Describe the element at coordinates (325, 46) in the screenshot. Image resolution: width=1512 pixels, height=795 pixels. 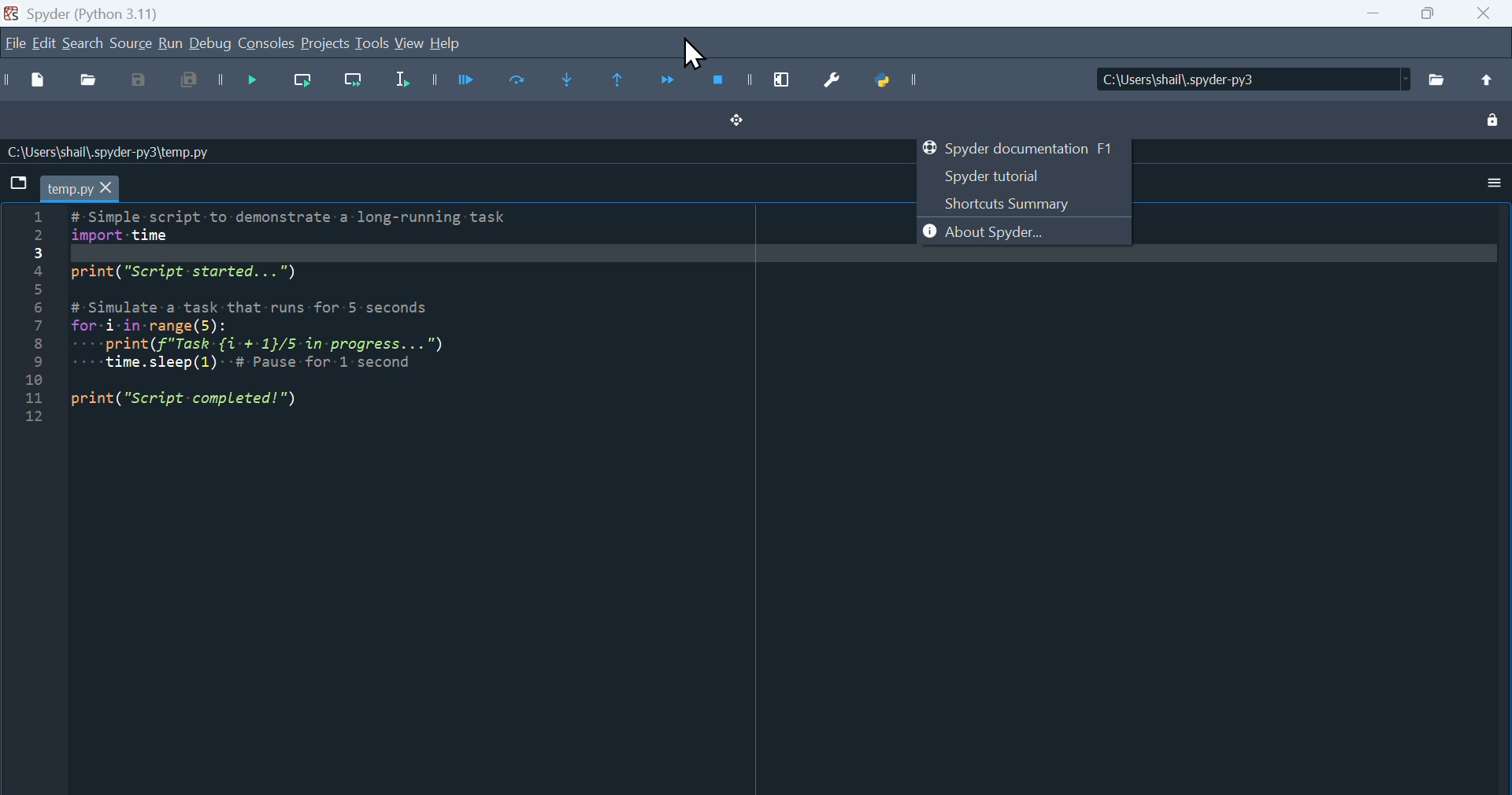
I see `Project` at that location.